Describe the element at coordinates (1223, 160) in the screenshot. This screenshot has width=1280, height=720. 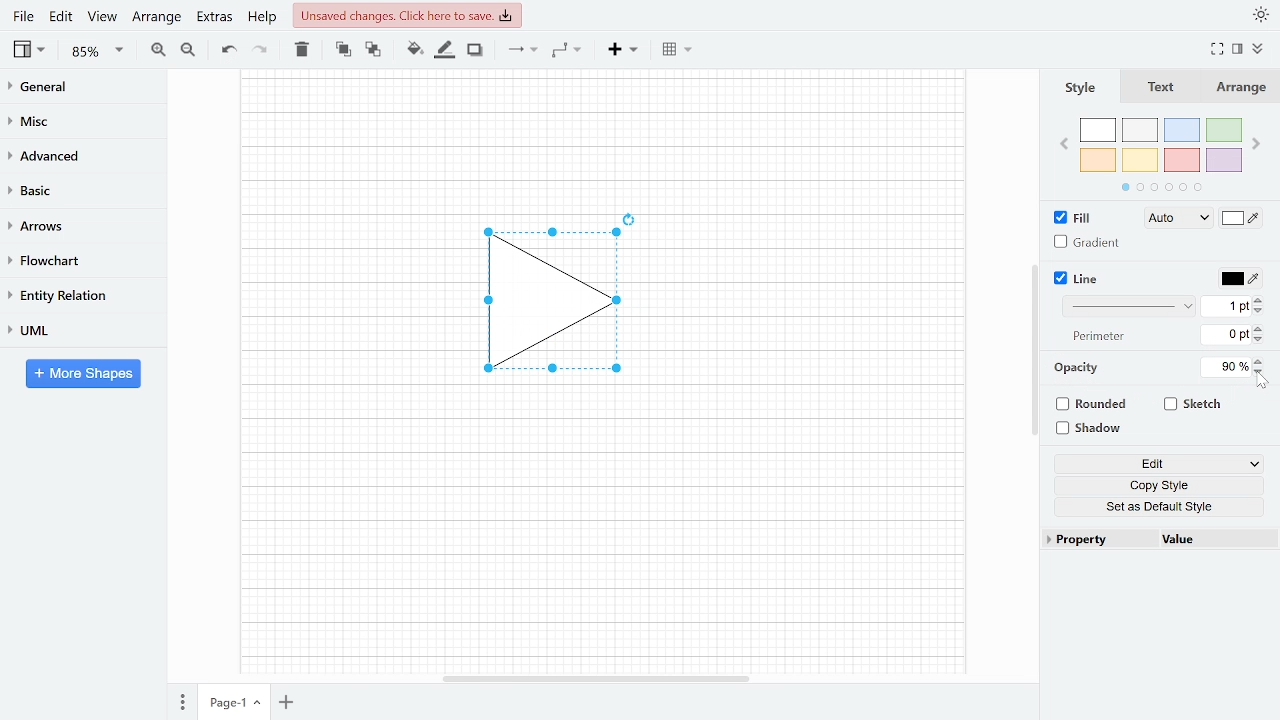
I see `violet` at that location.